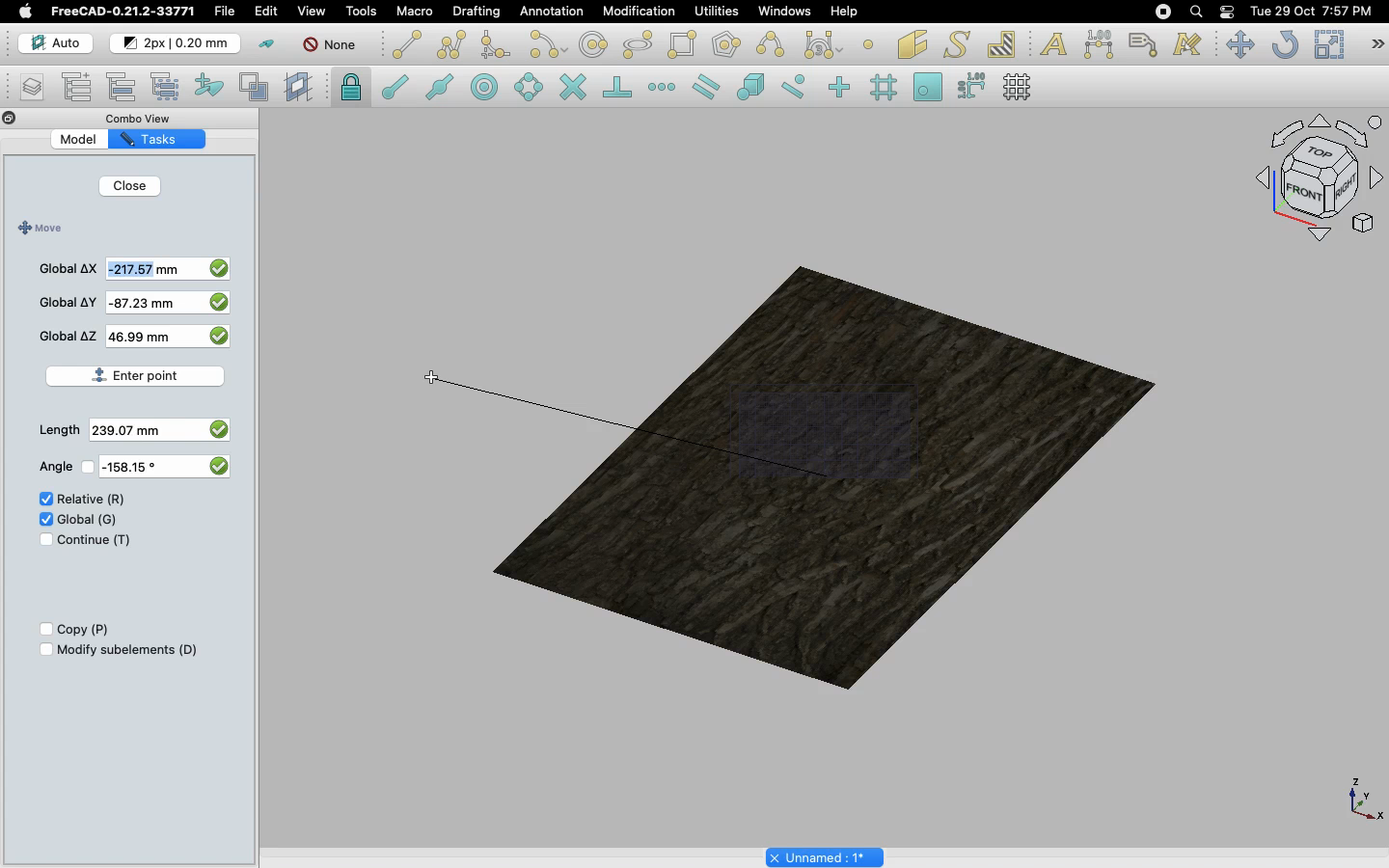 The image size is (1389, 868). Describe the element at coordinates (494, 47) in the screenshot. I see `Fillet` at that location.